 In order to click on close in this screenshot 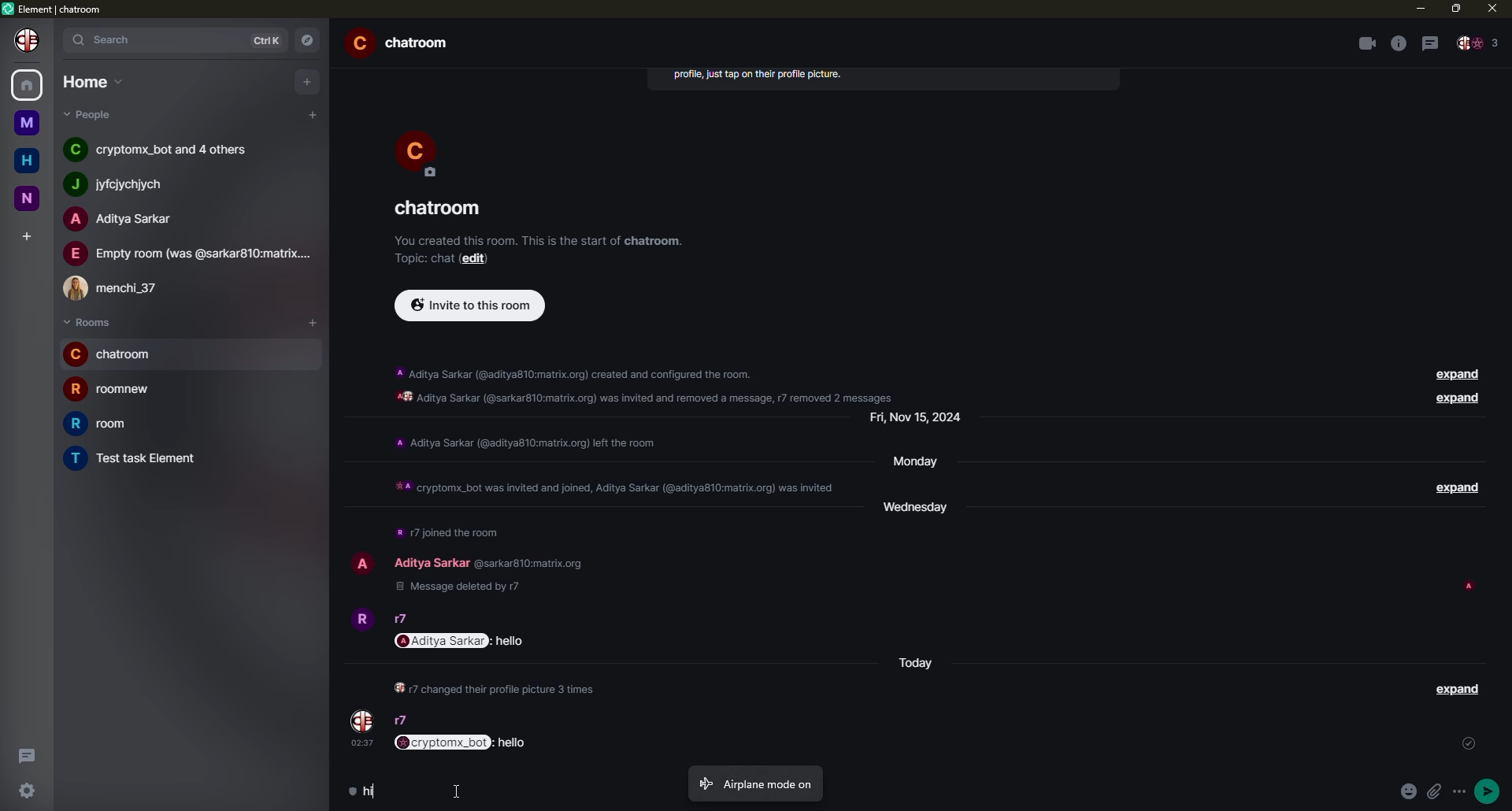, I will do `click(1491, 9)`.